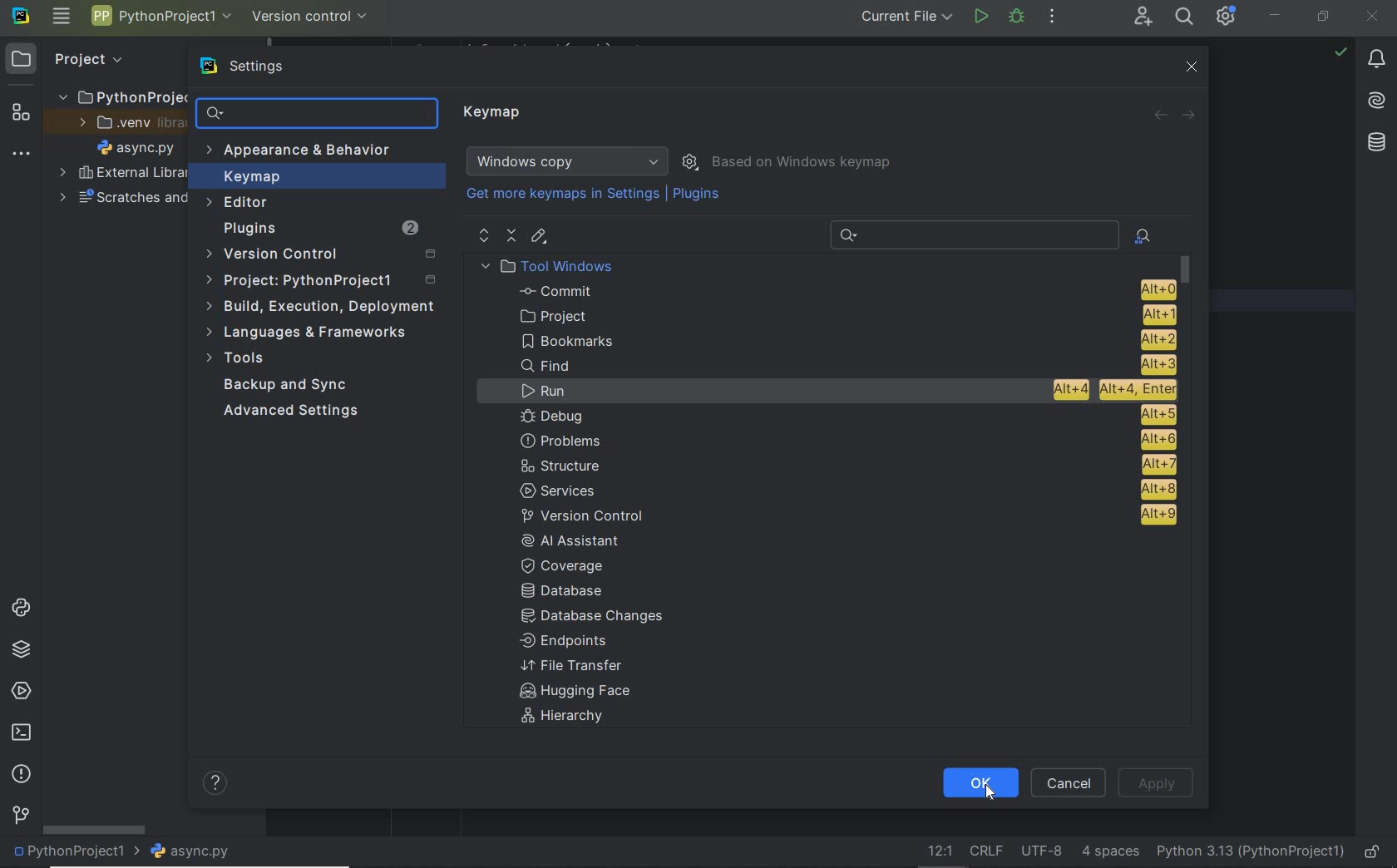 Image resolution: width=1397 pixels, height=868 pixels. I want to click on File Transfer, so click(572, 666).